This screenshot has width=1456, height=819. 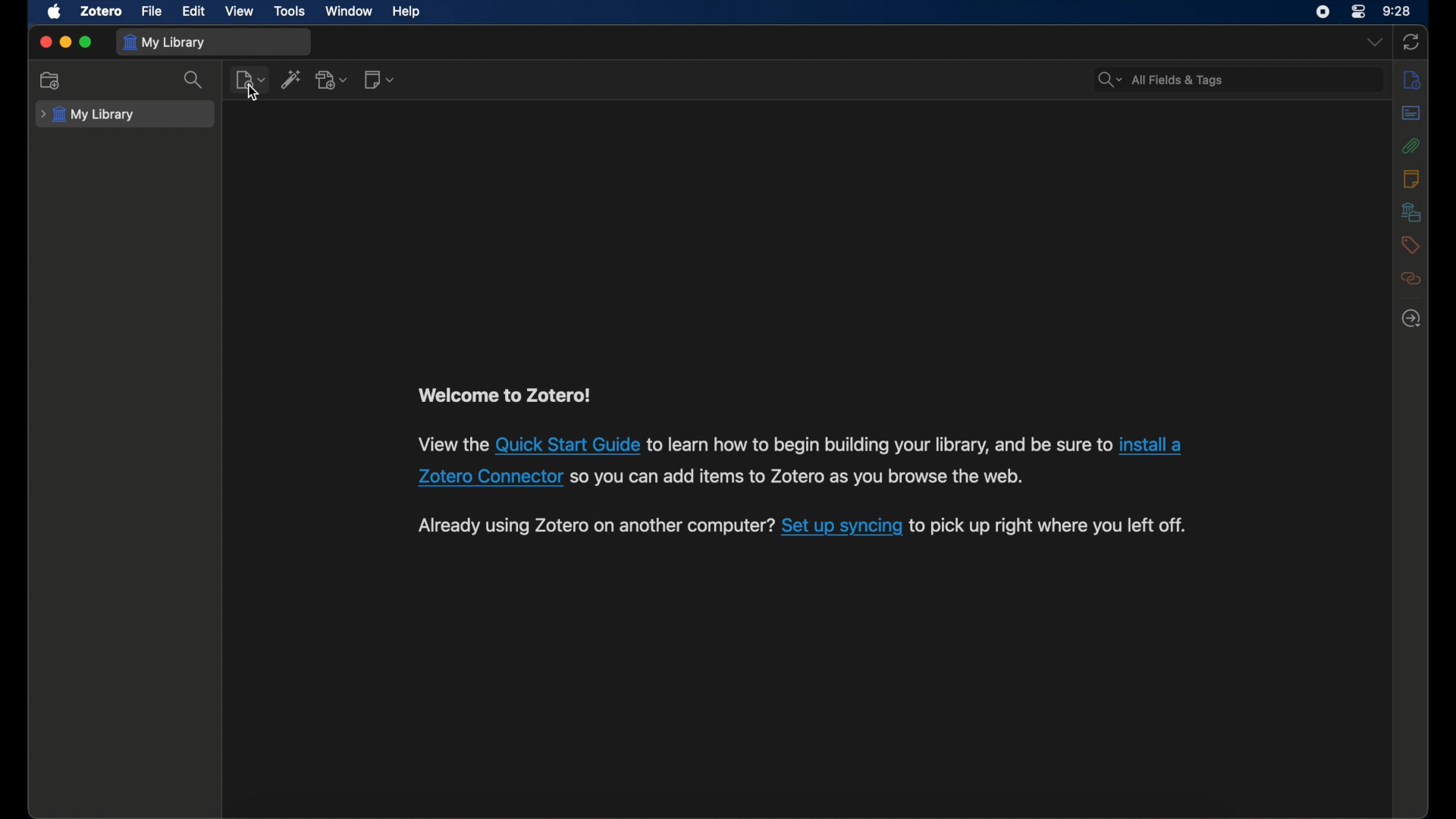 I want to click on time, so click(x=1397, y=11).